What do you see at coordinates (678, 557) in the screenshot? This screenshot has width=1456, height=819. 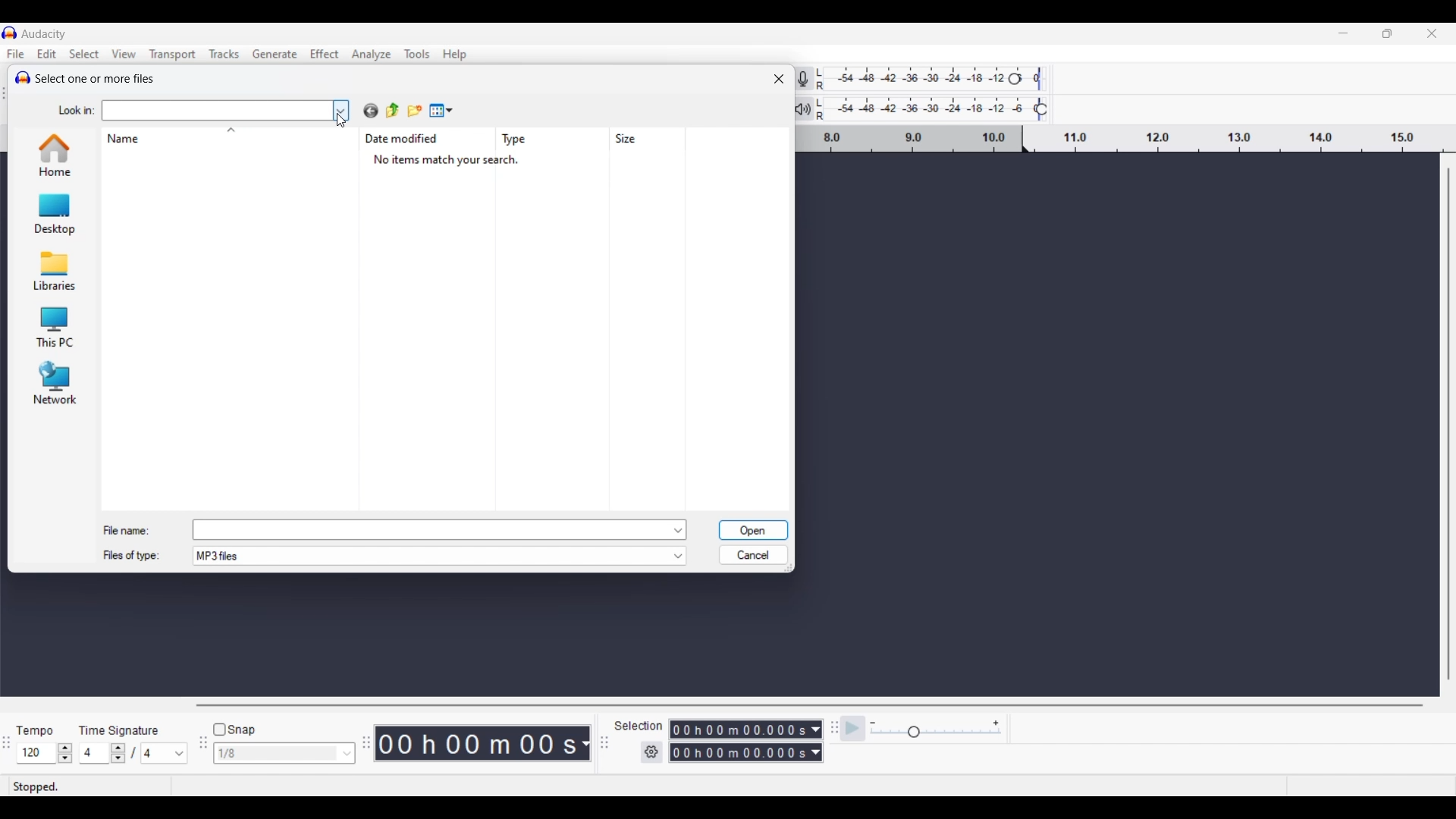 I see `File type options` at bounding box center [678, 557].